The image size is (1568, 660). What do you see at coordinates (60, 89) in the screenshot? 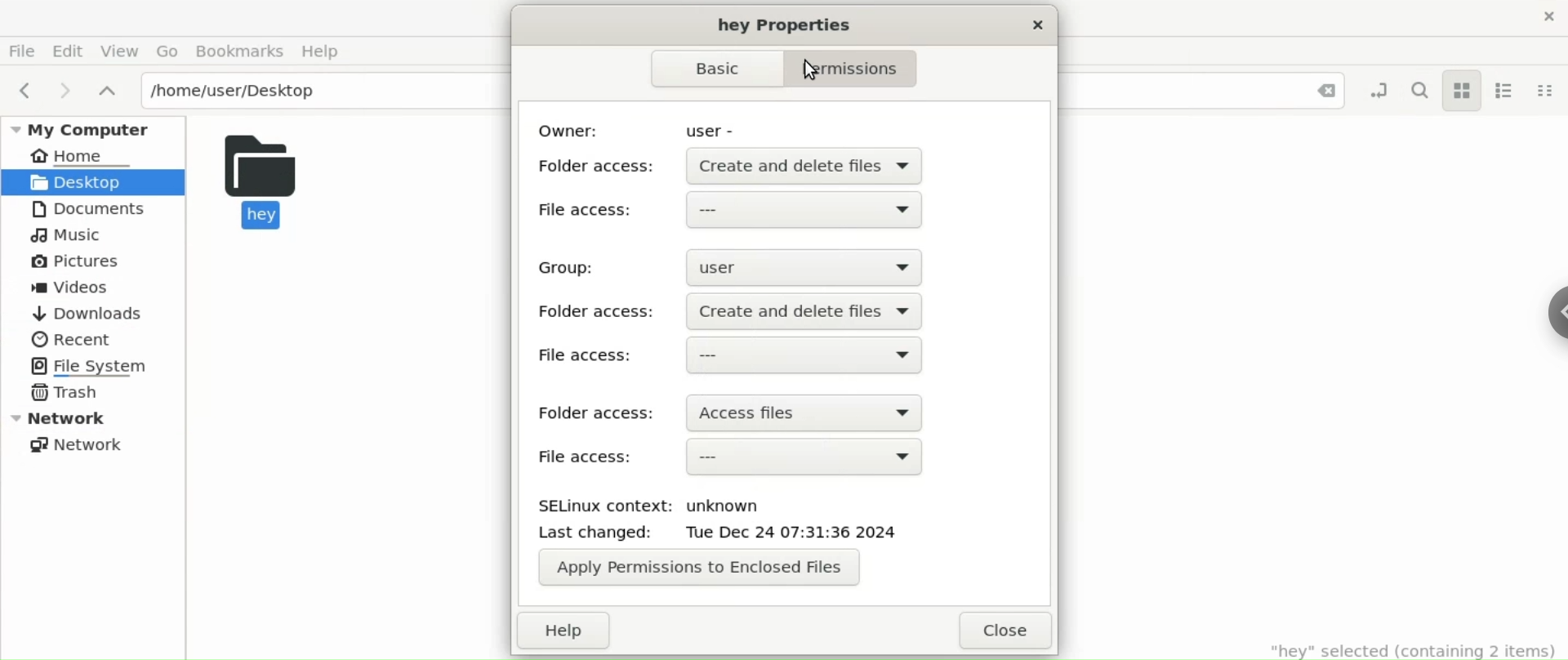
I see `next` at bounding box center [60, 89].